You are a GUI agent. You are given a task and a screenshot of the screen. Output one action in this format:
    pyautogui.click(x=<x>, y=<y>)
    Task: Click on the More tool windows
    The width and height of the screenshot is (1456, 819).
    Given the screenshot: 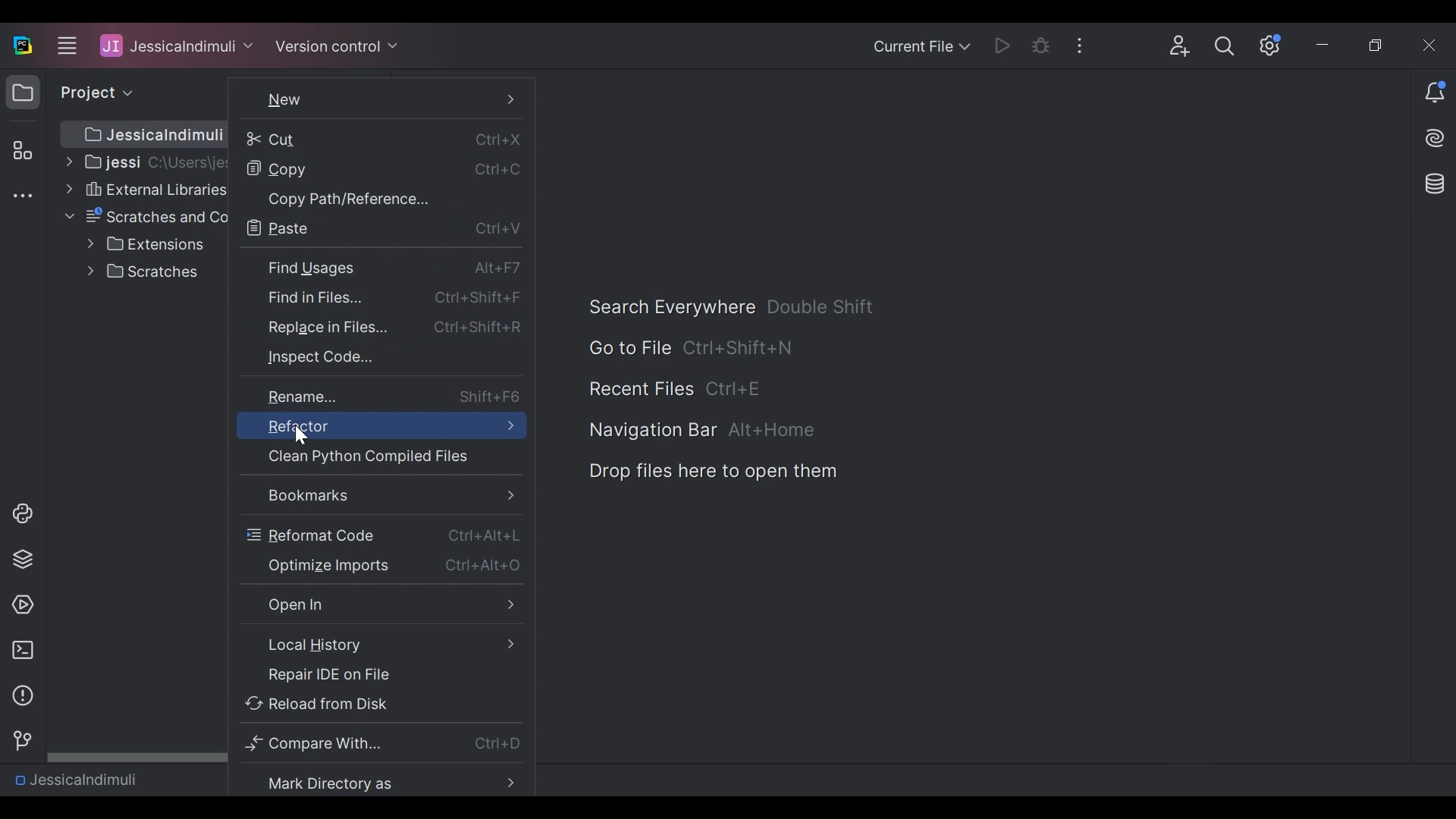 What is the action you would take?
    pyautogui.click(x=22, y=197)
    